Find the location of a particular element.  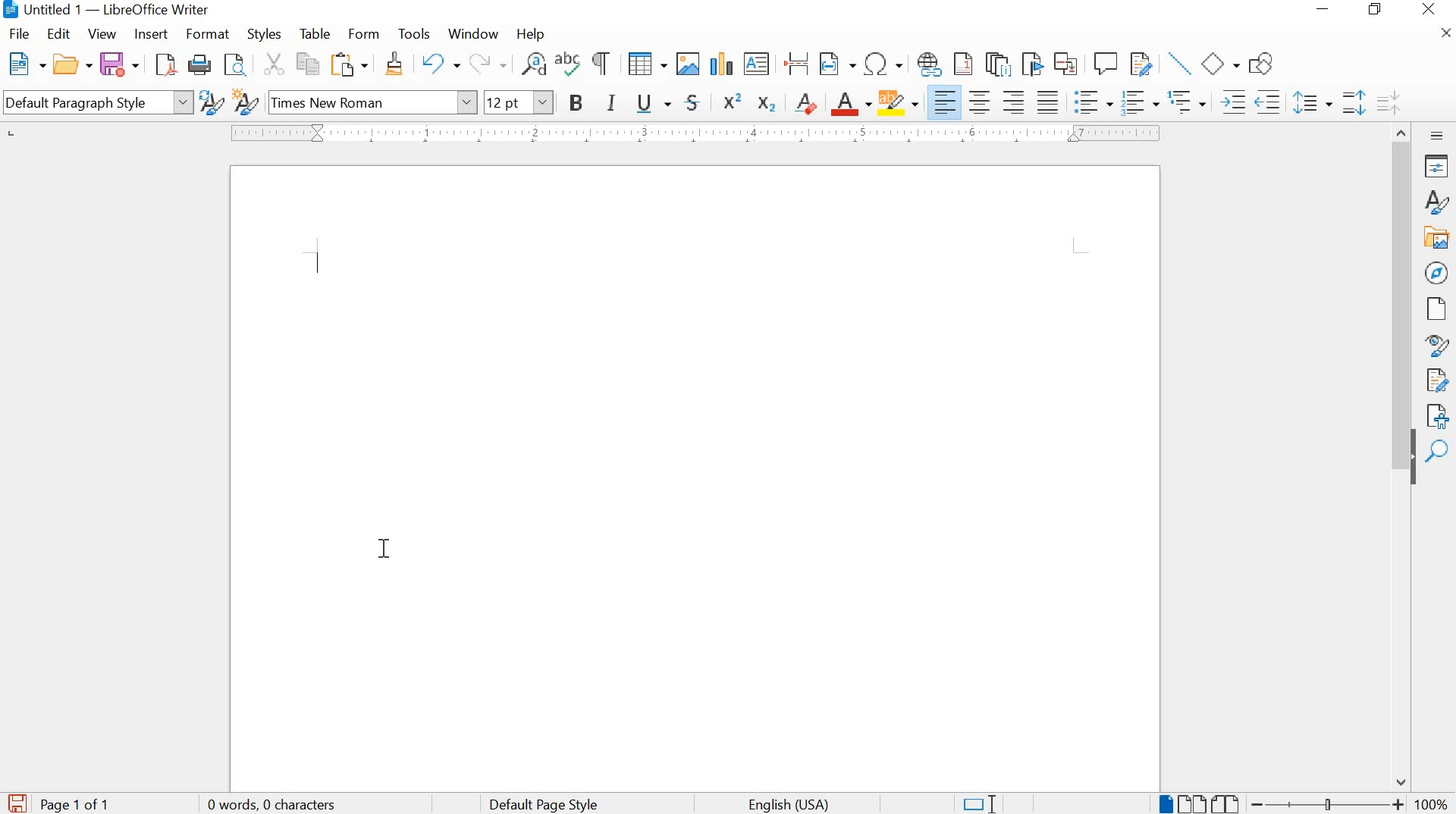

SUPERSCRIPT is located at coordinates (732, 101).